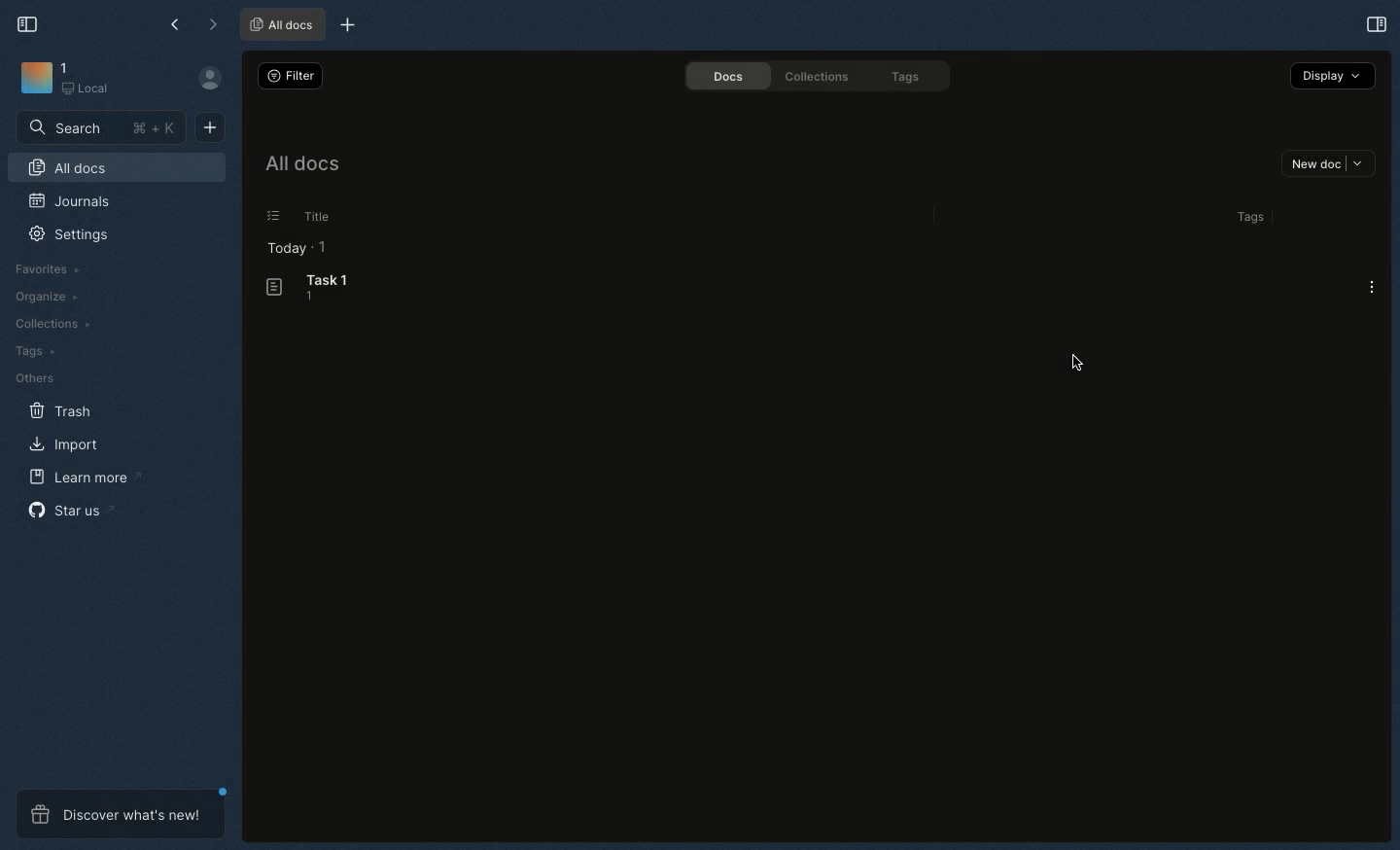 This screenshot has height=850, width=1400. What do you see at coordinates (208, 77) in the screenshot?
I see `Profile` at bounding box center [208, 77].